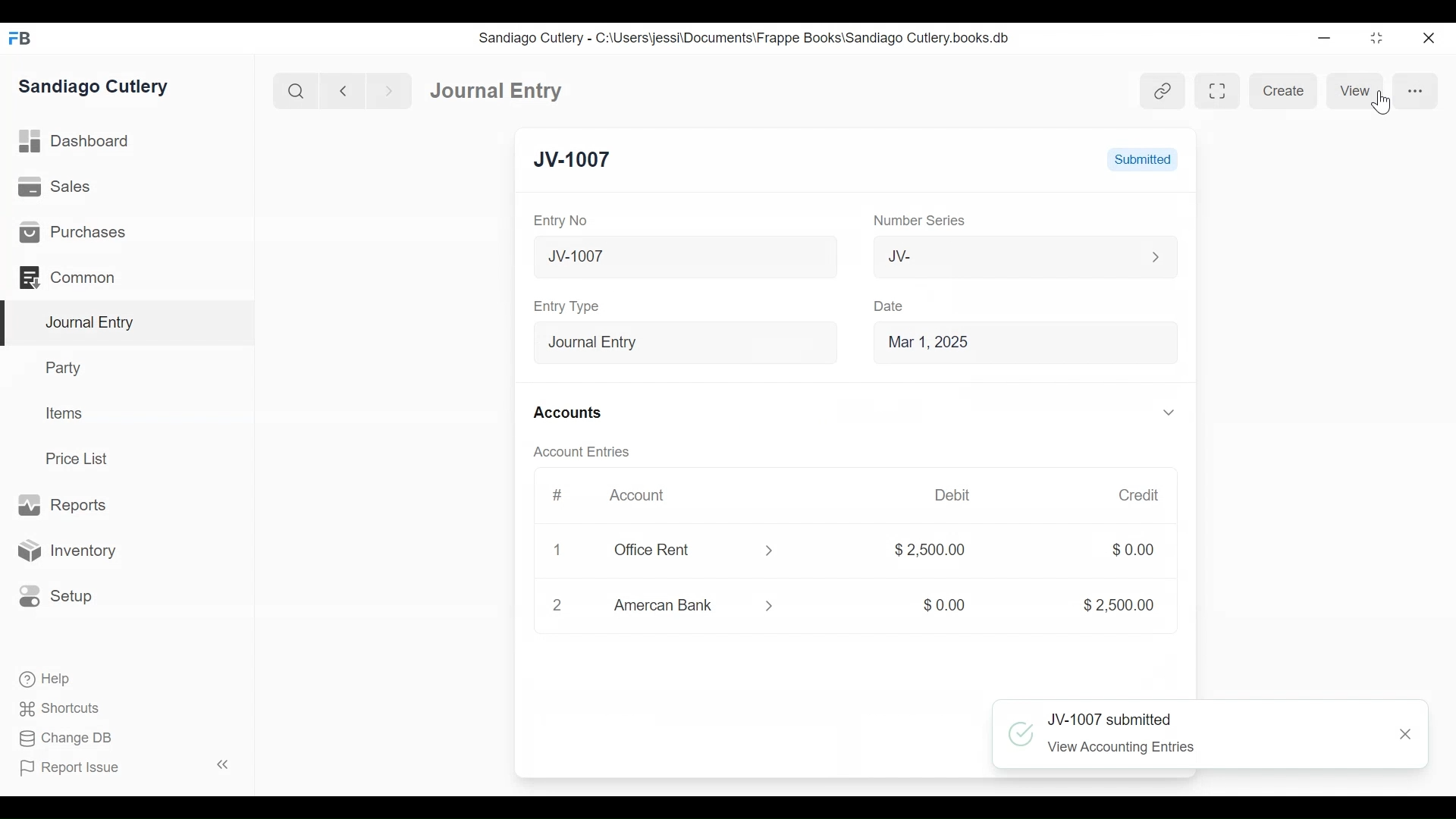 The height and width of the screenshot is (819, 1456). Describe the element at coordinates (1021, 733) in the screenshot. I see `approved icon` at that location.